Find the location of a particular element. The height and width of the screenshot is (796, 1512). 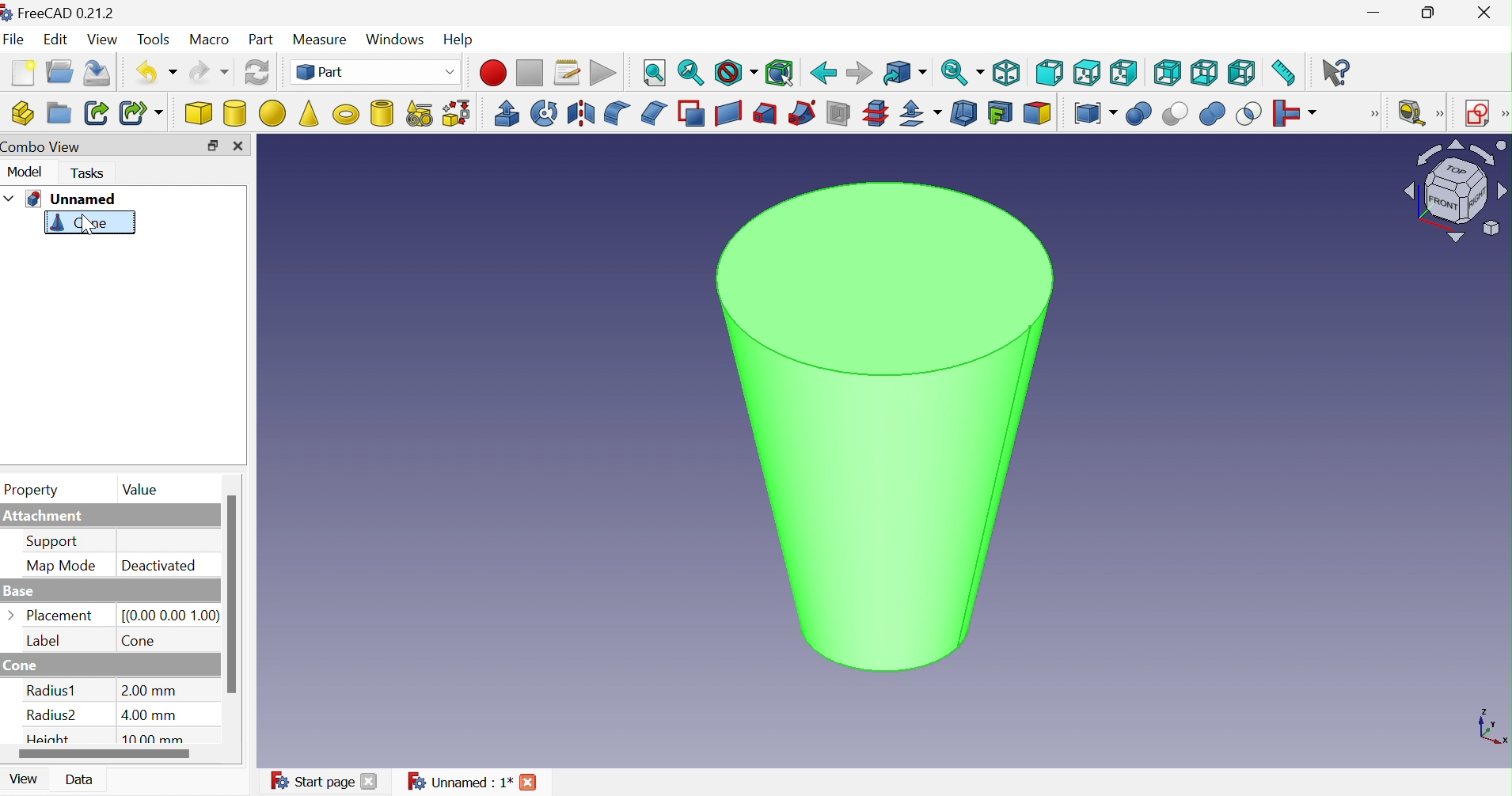

Sweep is located at coordinates (800, 115).